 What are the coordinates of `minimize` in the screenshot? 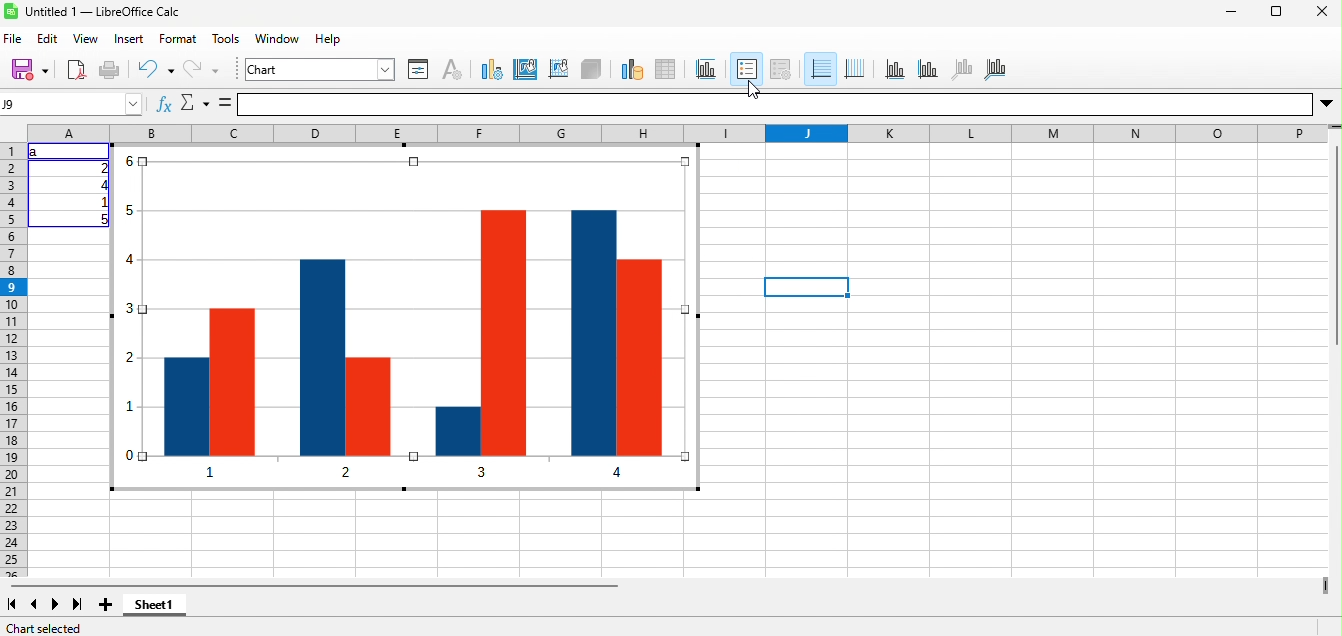 It's located at (1232, 11).